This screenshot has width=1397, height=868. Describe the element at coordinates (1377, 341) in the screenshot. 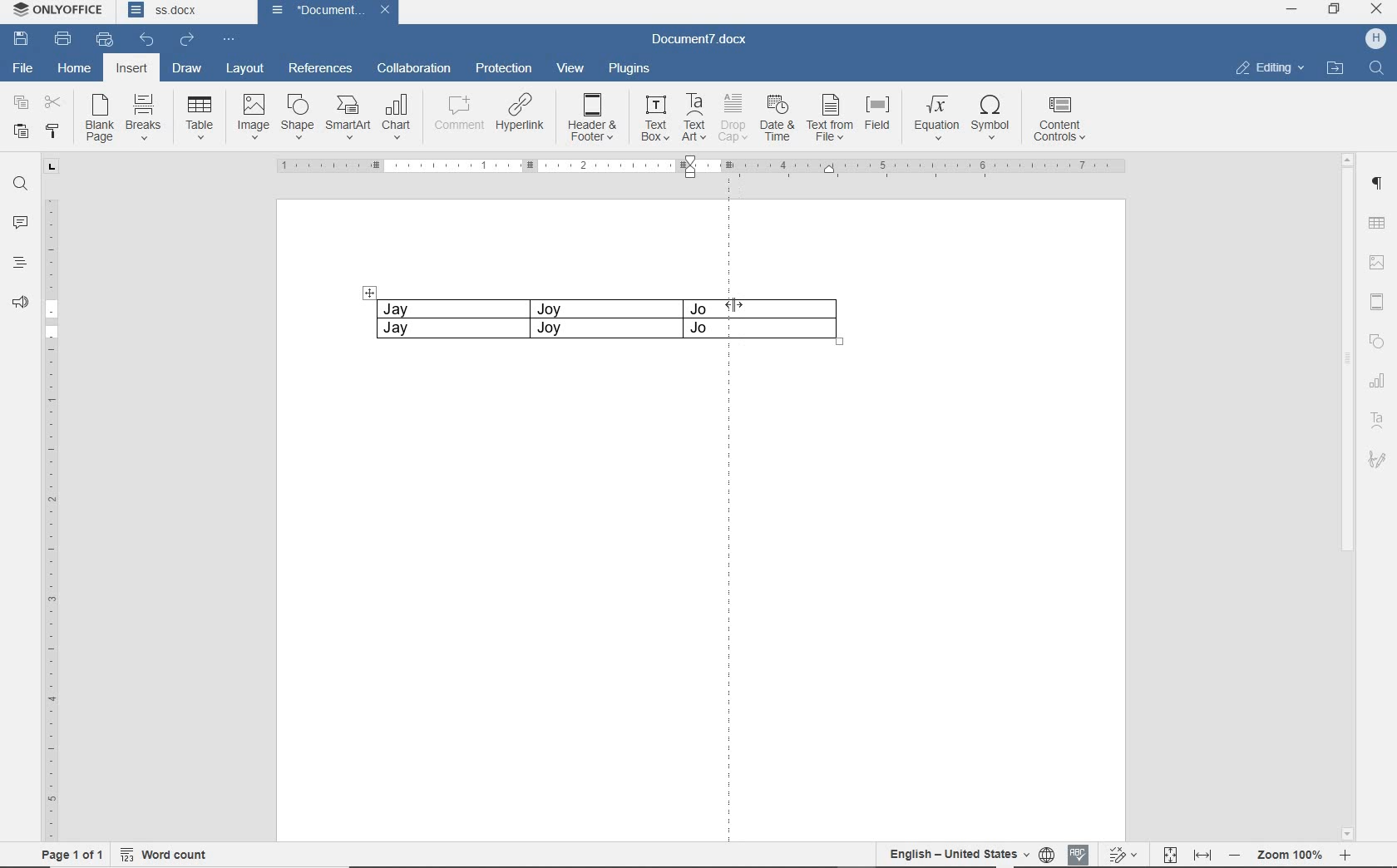

I see `SHAPE` at that location.